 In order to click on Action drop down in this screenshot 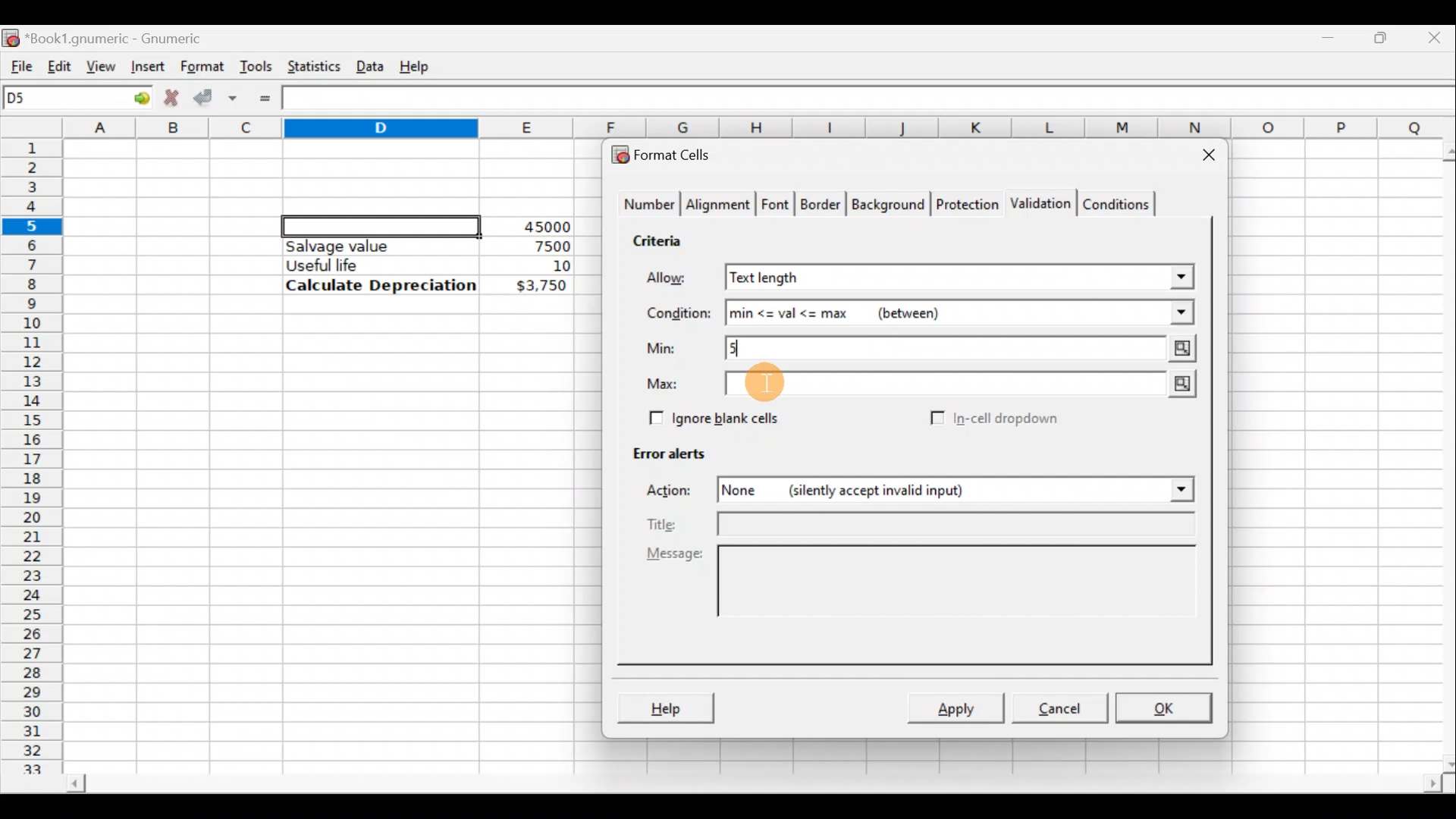, I will do `click(1169, 490)`.